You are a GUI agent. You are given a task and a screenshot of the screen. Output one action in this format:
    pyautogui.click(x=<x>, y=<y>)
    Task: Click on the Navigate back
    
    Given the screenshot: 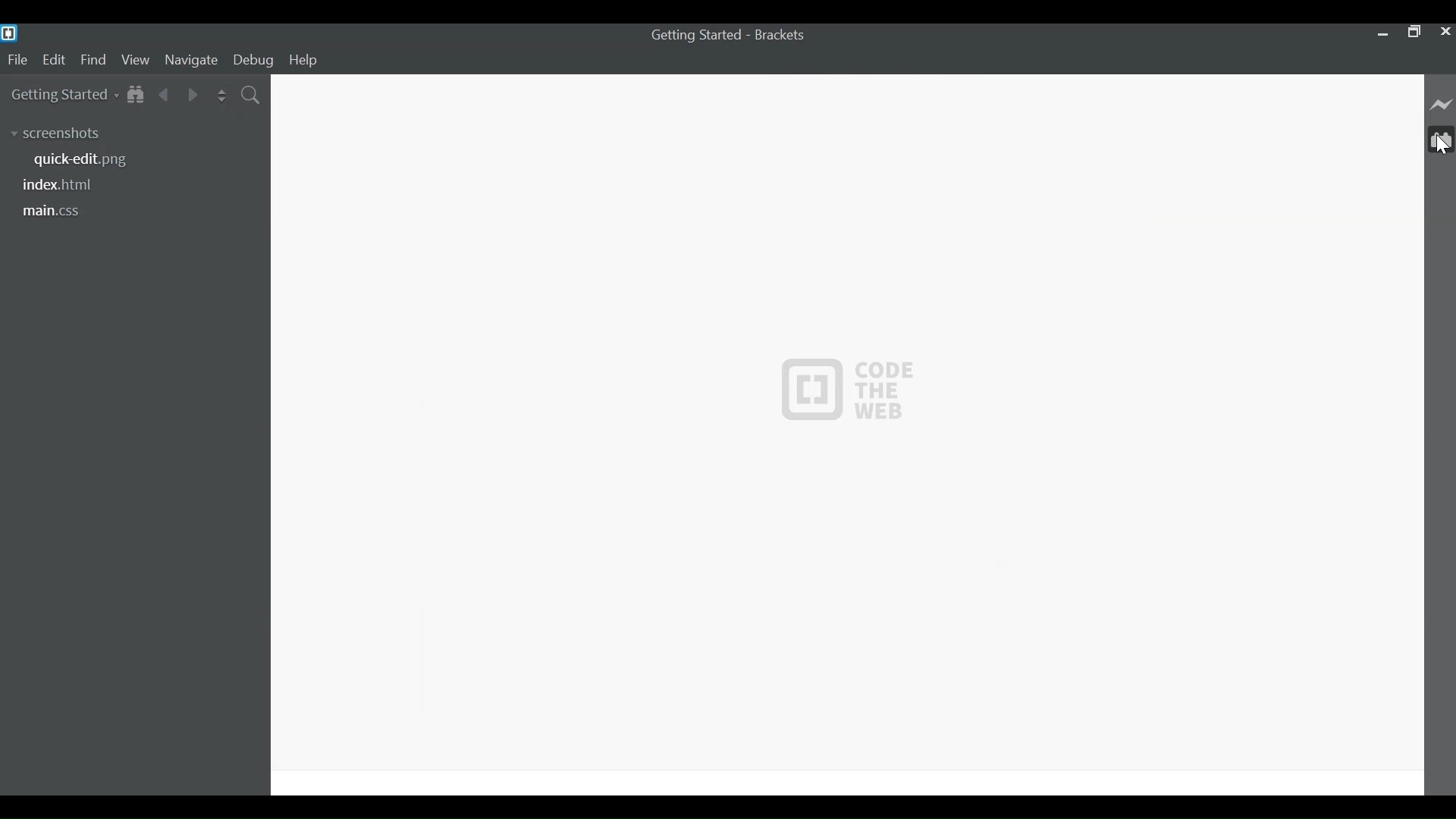 What is the action you would take?
    pyautogui.click(x=163, y=96)
    